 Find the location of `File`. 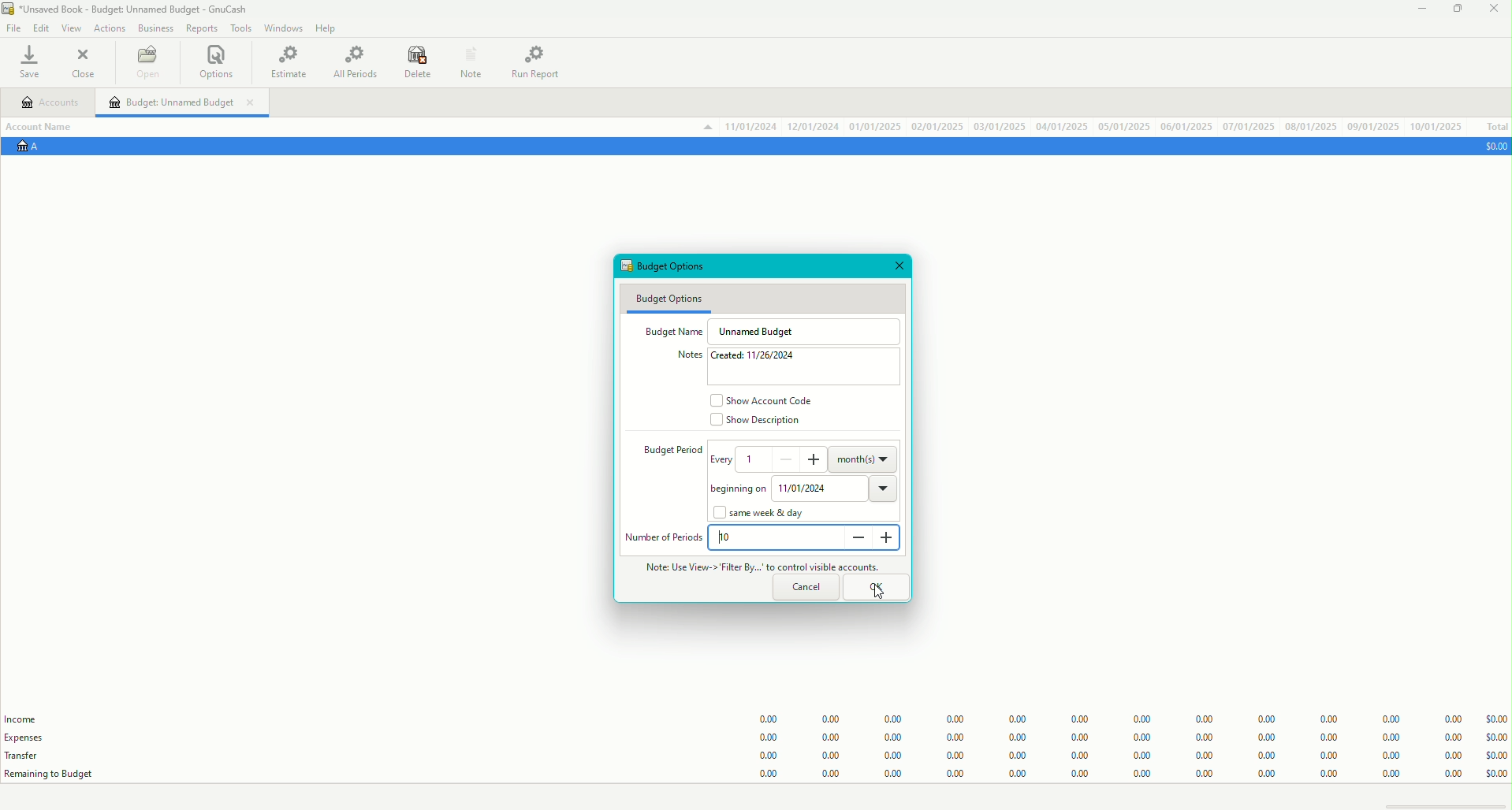

File is located at coordinates (15, 28).